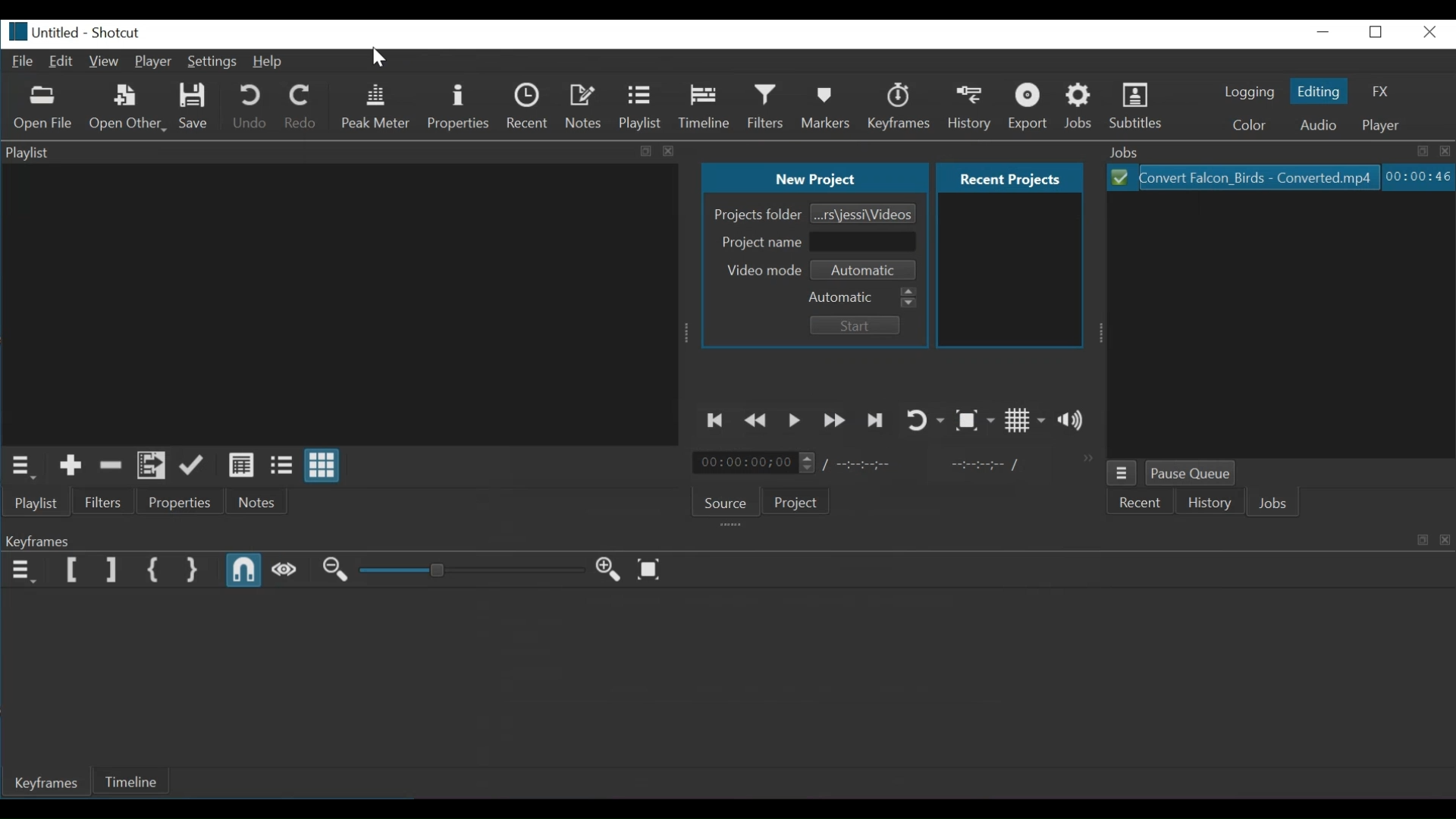  I want to click on Browse Project Folder, so click(862, 211).